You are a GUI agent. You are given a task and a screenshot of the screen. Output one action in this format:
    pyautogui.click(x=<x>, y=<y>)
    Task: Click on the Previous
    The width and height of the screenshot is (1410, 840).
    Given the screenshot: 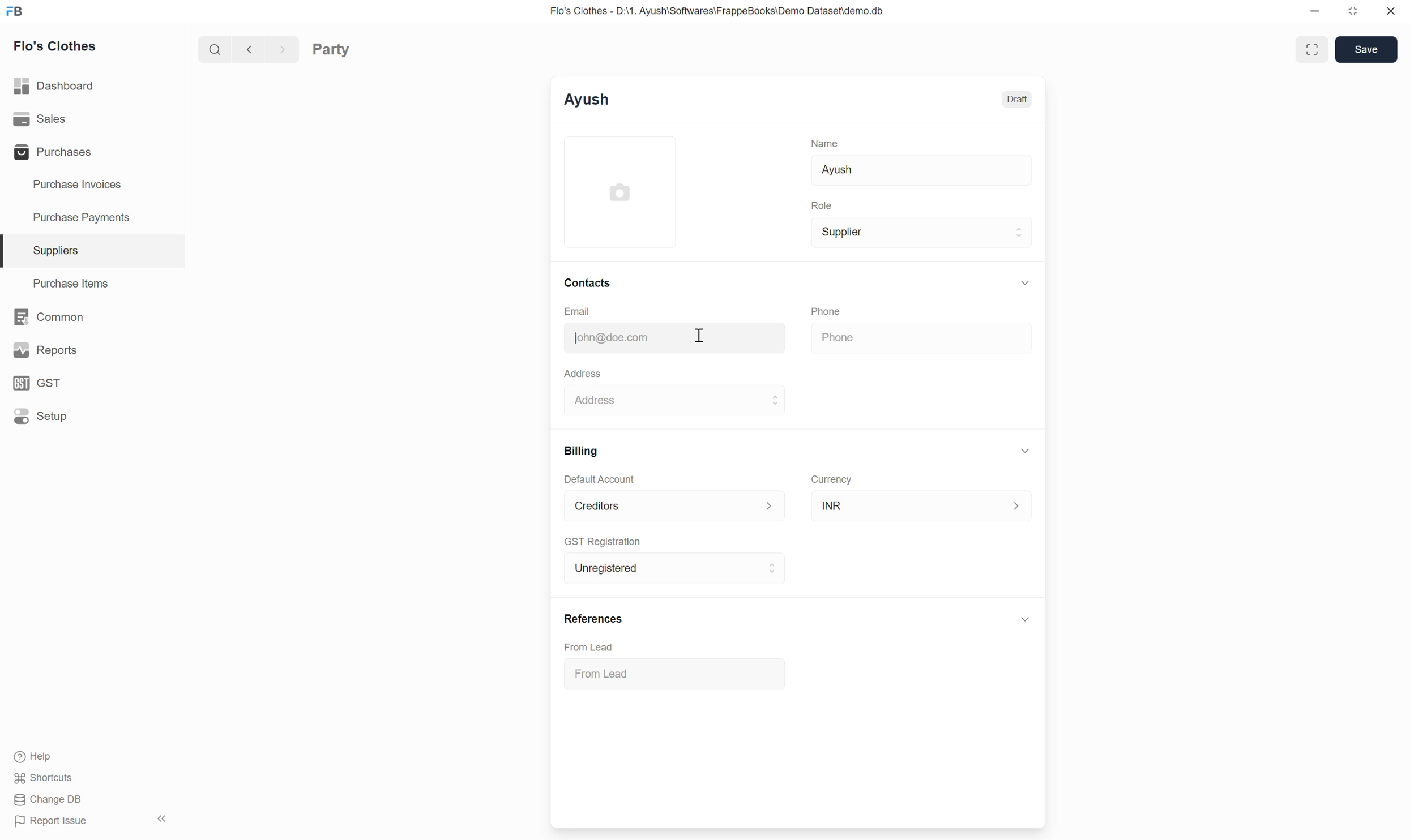 What is the action you would take?
    pyautogui.click(x=249, y=49)
    